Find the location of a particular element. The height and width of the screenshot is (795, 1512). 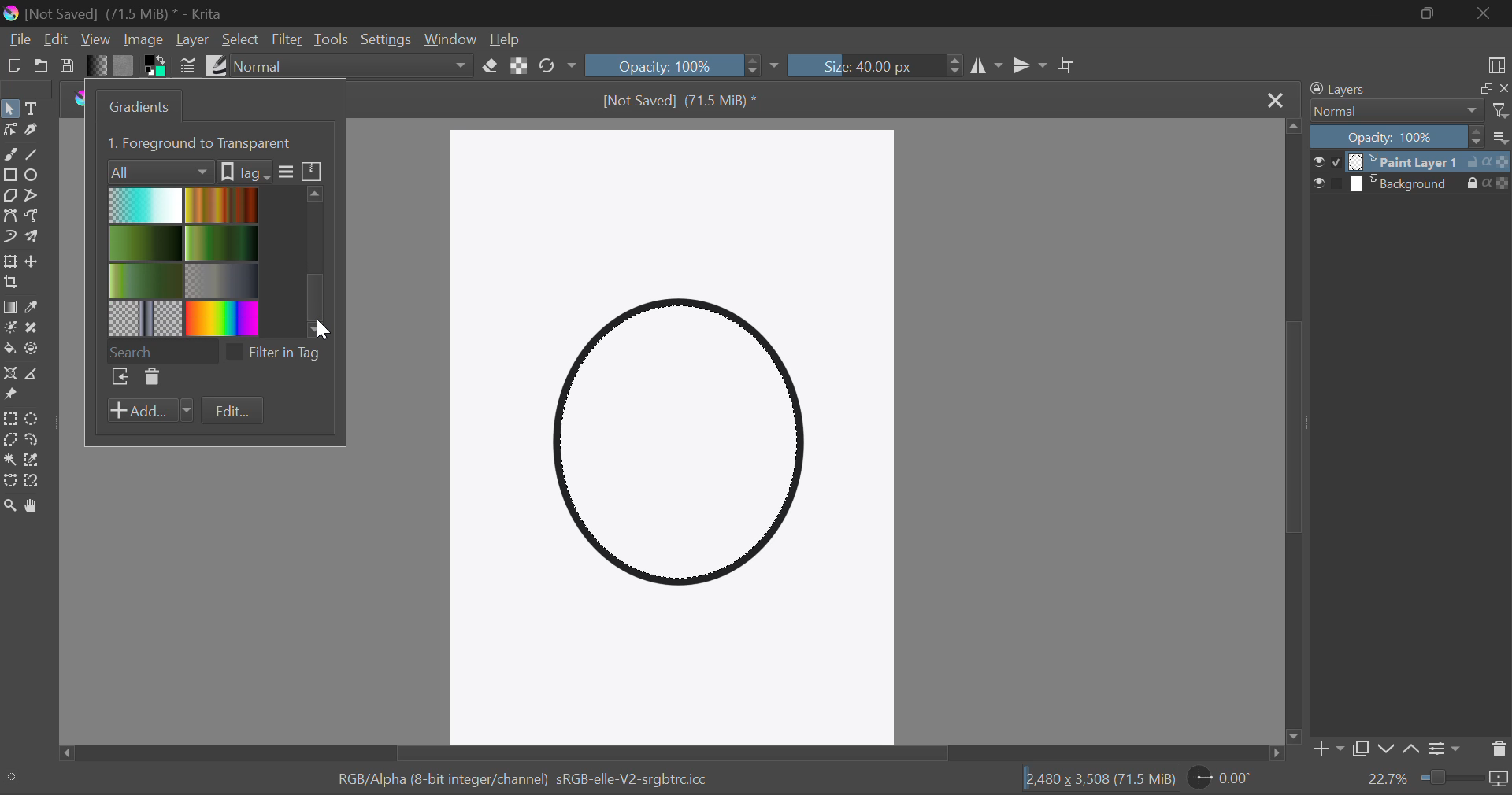

zoom value is located at coordinates (1389, 779).